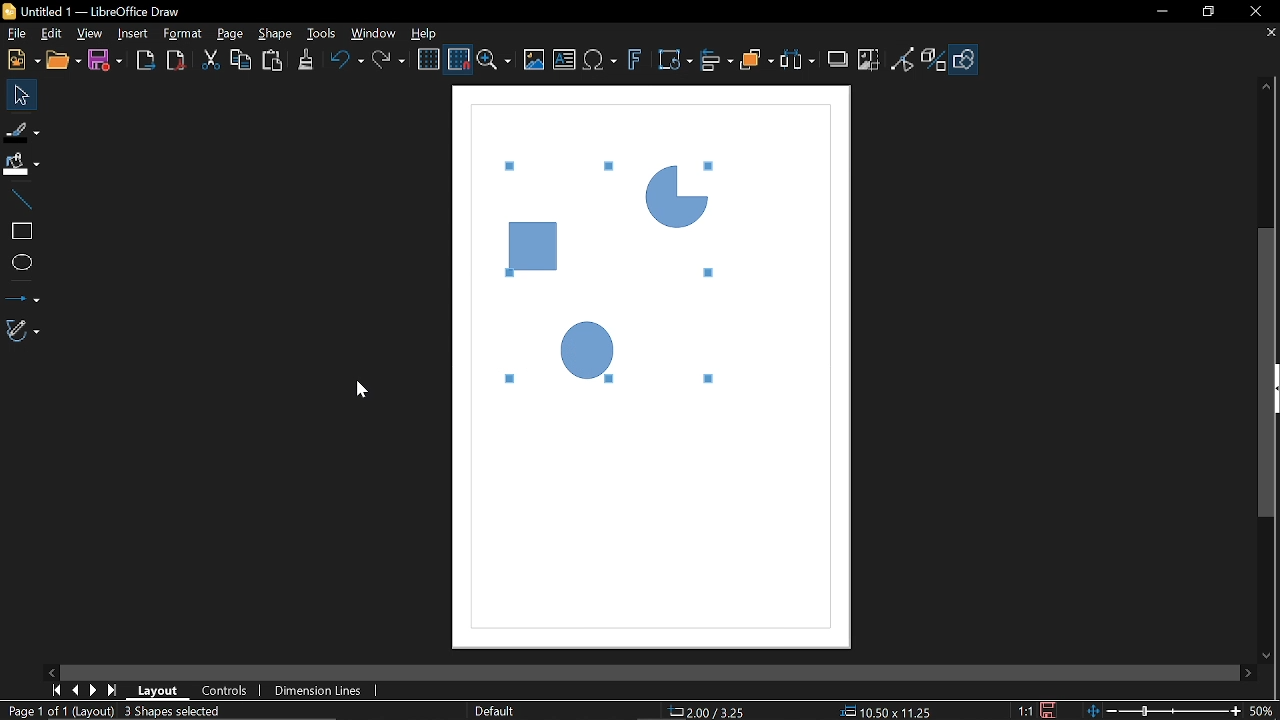  I want to click on Move up, so click(1262, 85).